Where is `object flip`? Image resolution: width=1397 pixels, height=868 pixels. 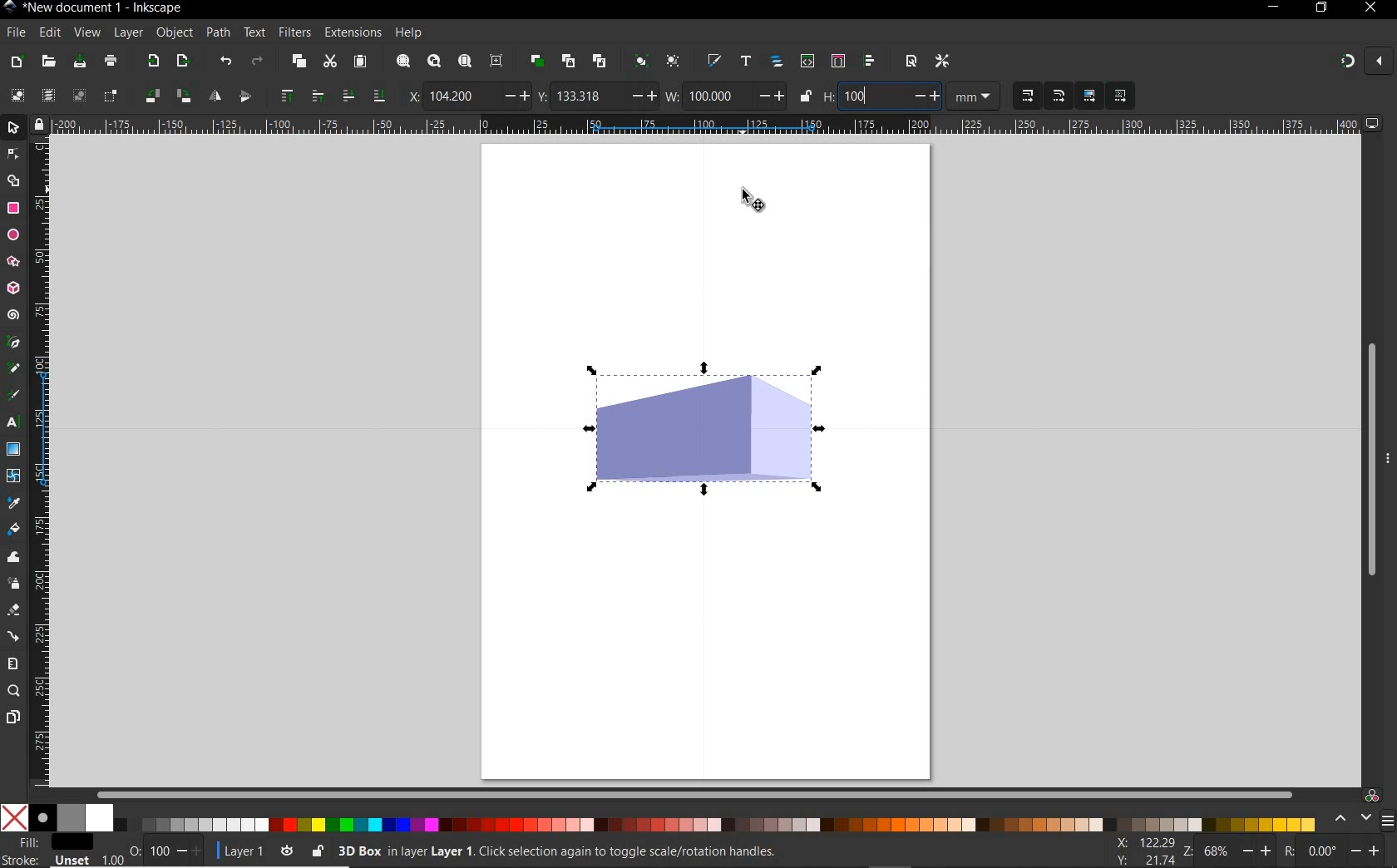 object flip is located at coordinates (213, 97).